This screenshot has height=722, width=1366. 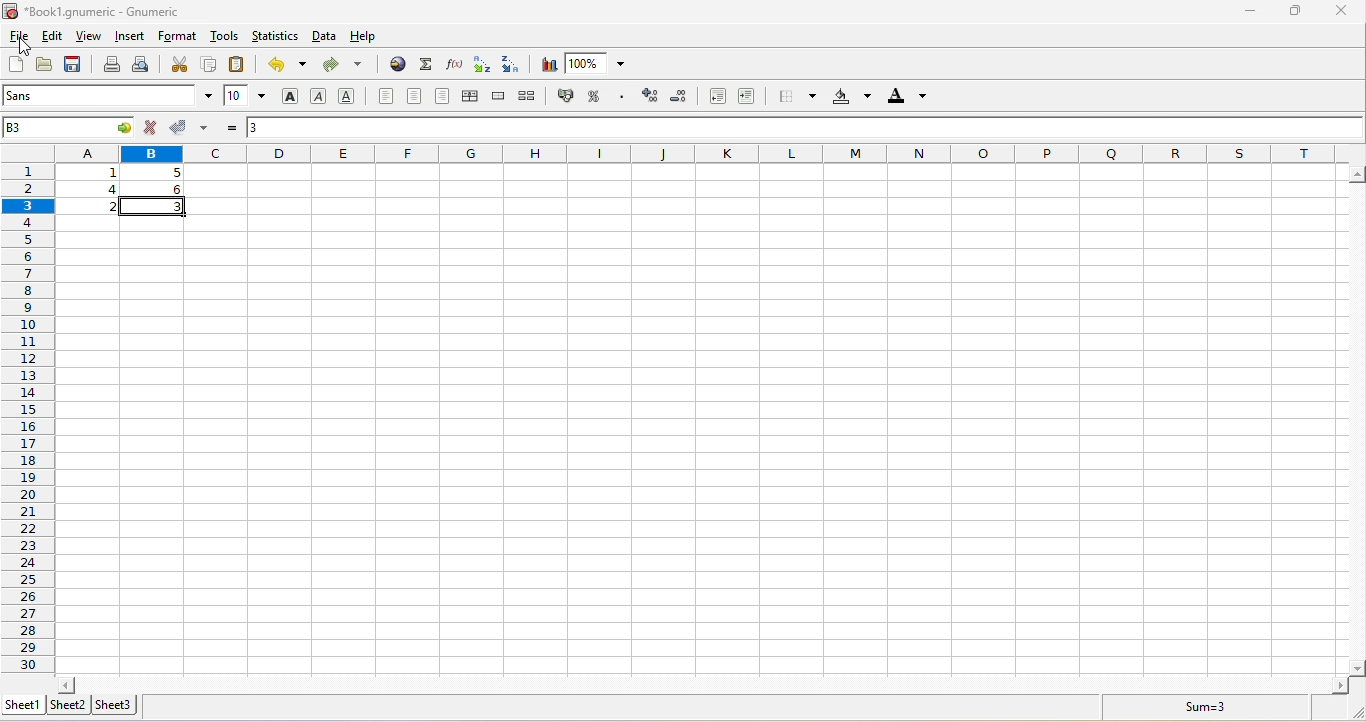 I want to click on b3, so click(x=71, y=127).